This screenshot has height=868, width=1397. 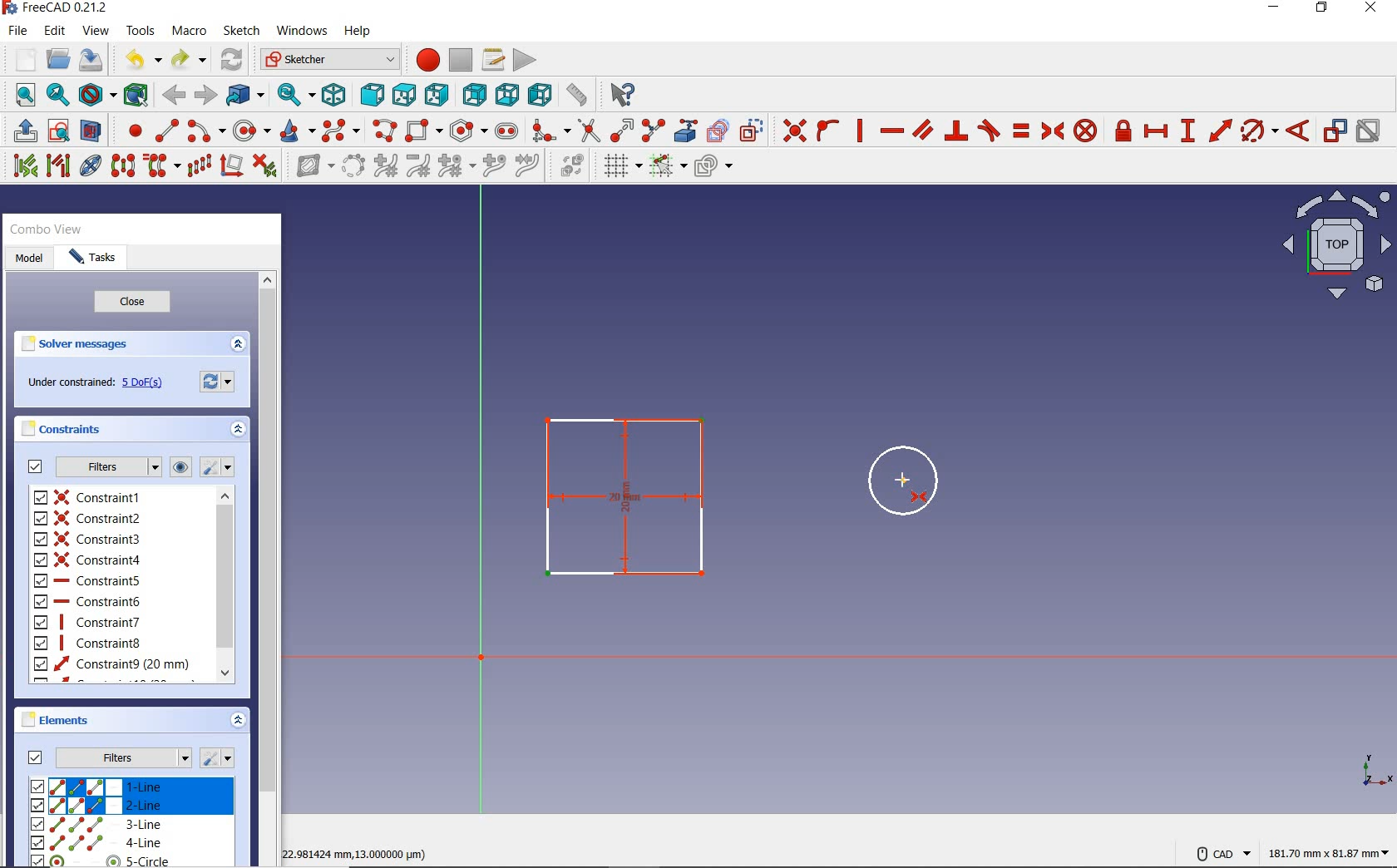 What do you see at coordinates (385, 131) in the screenshot?
I see `create polyline` at bounding box center [385, 131].